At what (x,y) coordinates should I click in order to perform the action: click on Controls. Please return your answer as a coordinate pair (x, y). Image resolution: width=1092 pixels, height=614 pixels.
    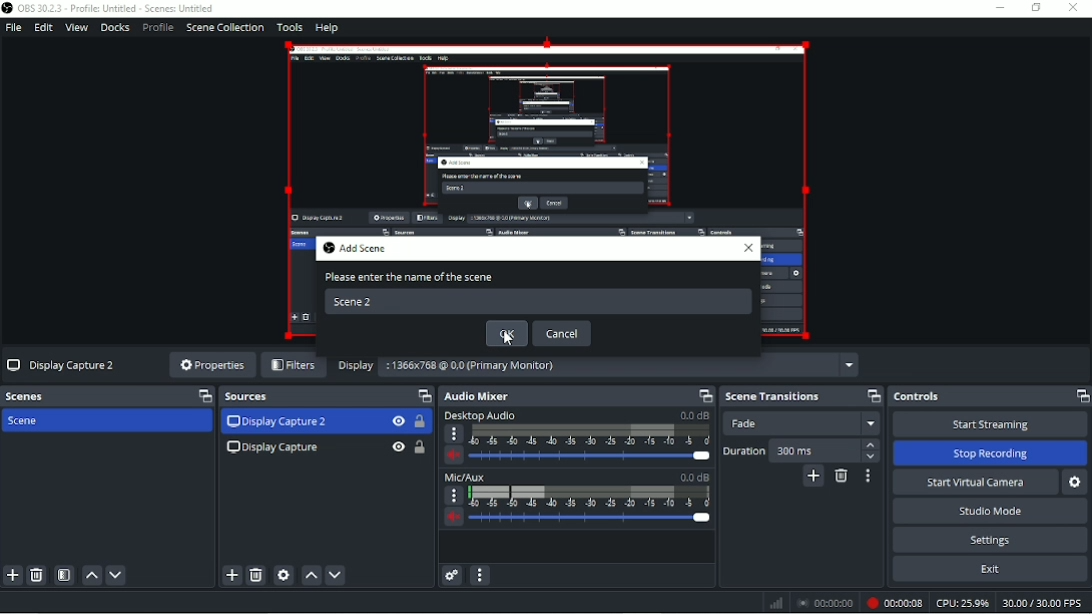
    Looking at the image, I should click on (920, 397).